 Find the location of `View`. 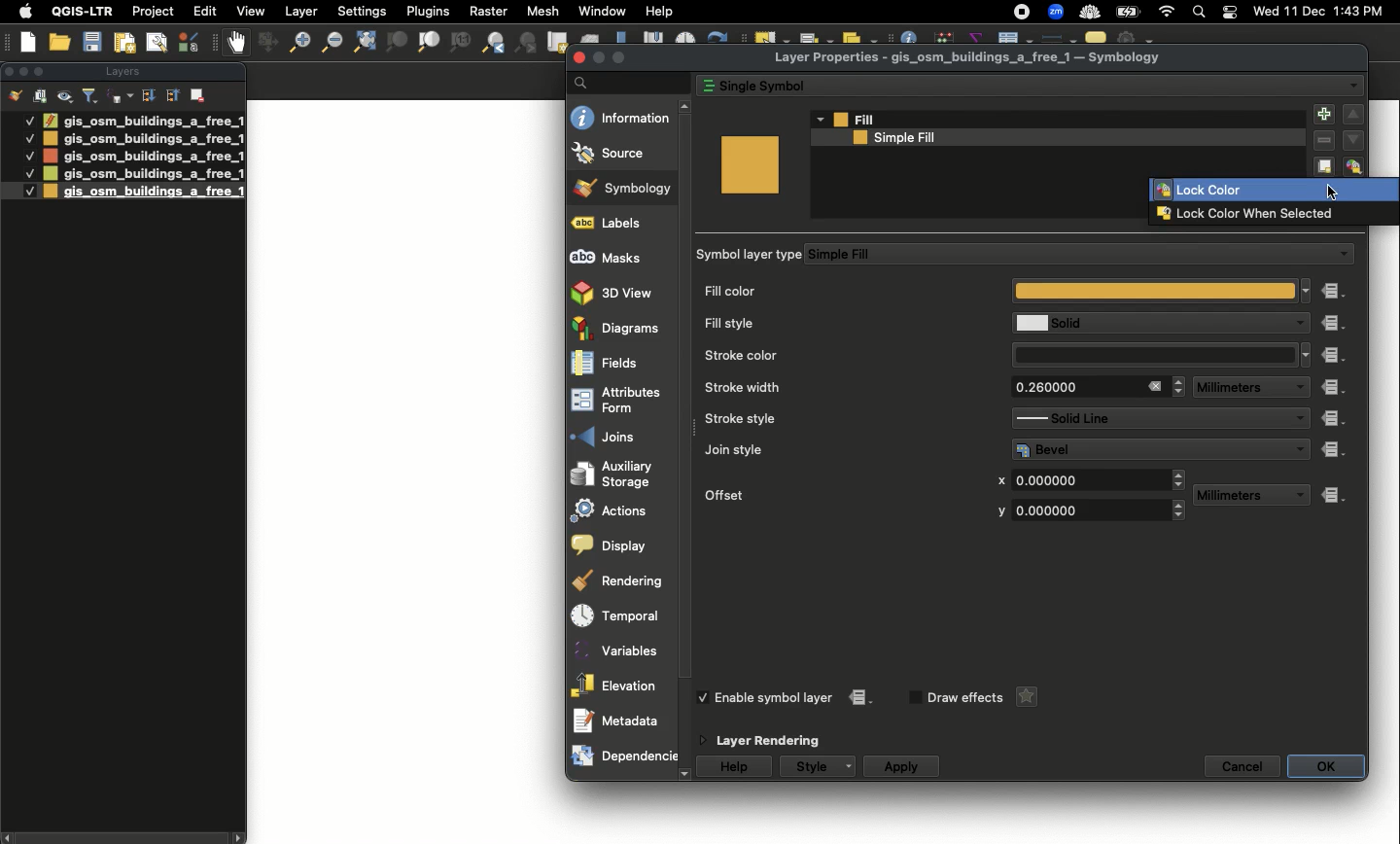

View is located at coordinates (249, 11).